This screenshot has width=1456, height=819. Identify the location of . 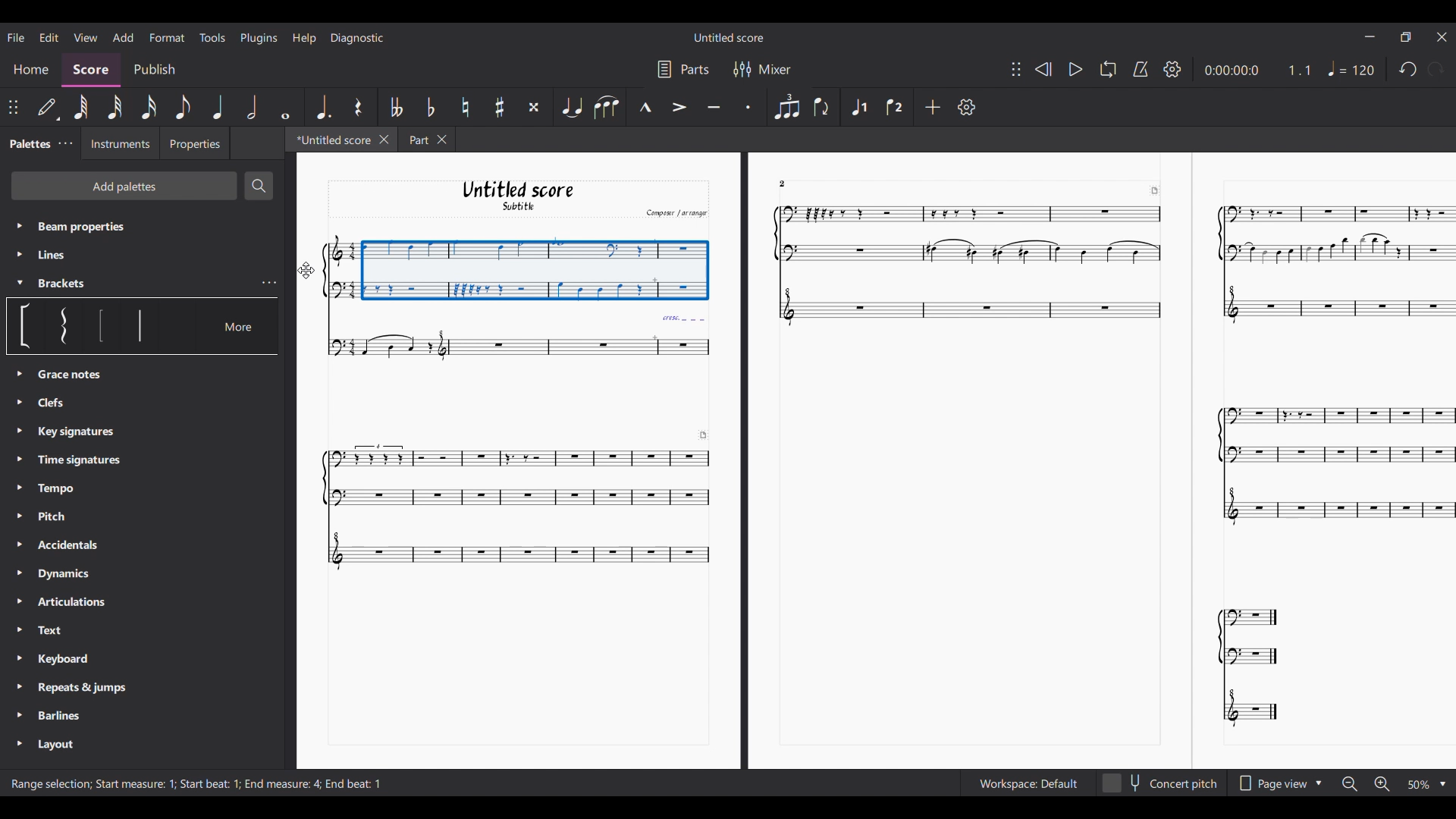
(17, 543).